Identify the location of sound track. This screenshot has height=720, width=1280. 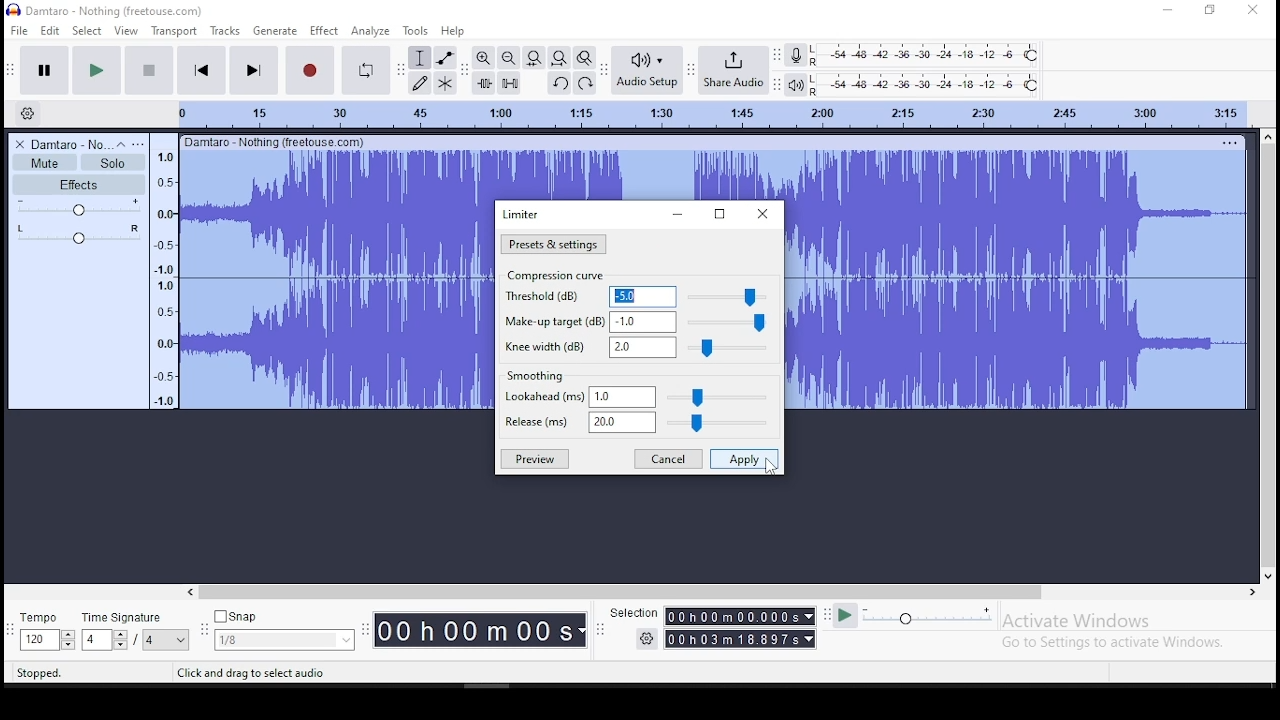
(399, 286).